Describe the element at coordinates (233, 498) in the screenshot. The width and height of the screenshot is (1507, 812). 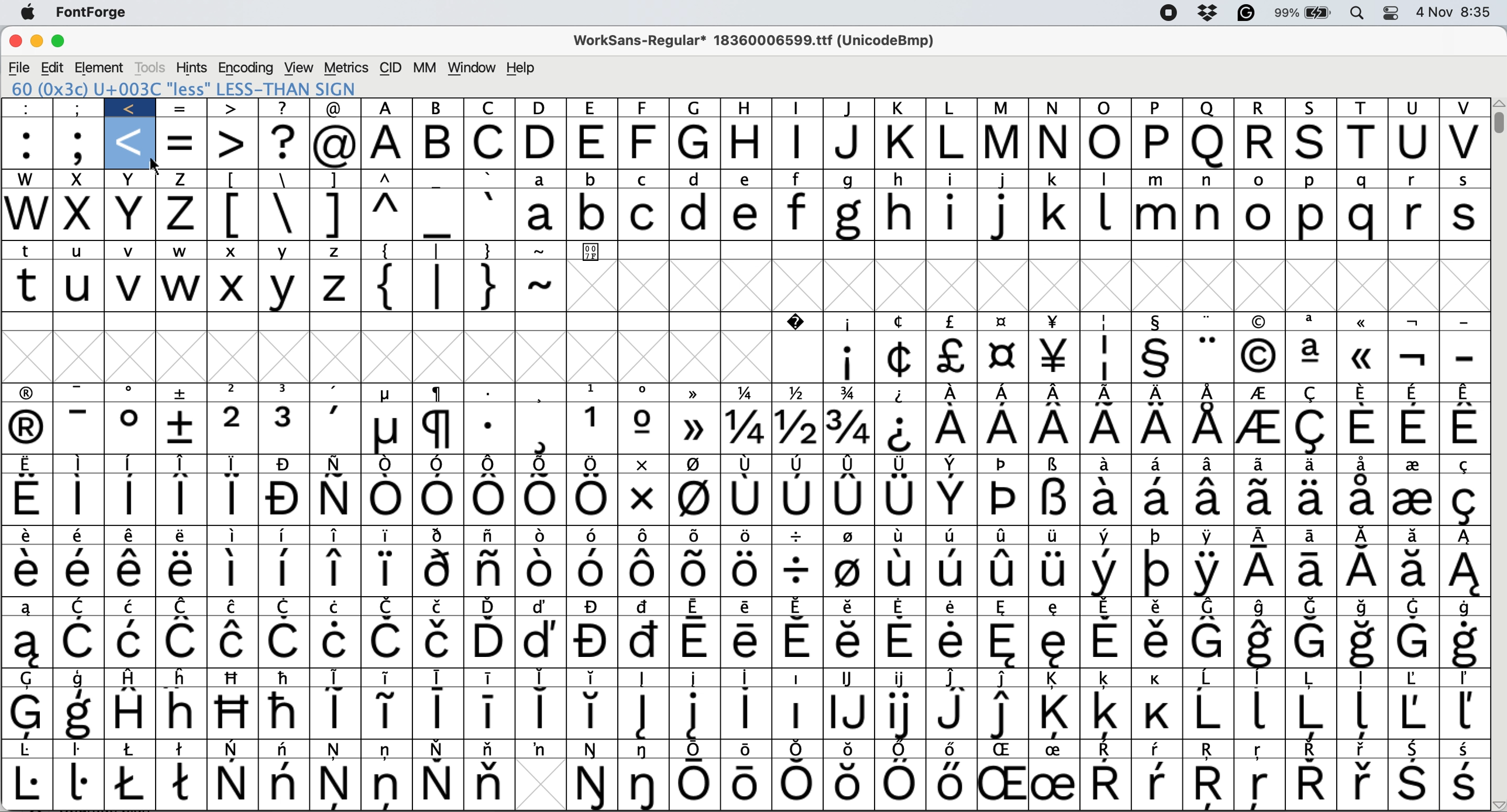
I see `Symbol` at that location.